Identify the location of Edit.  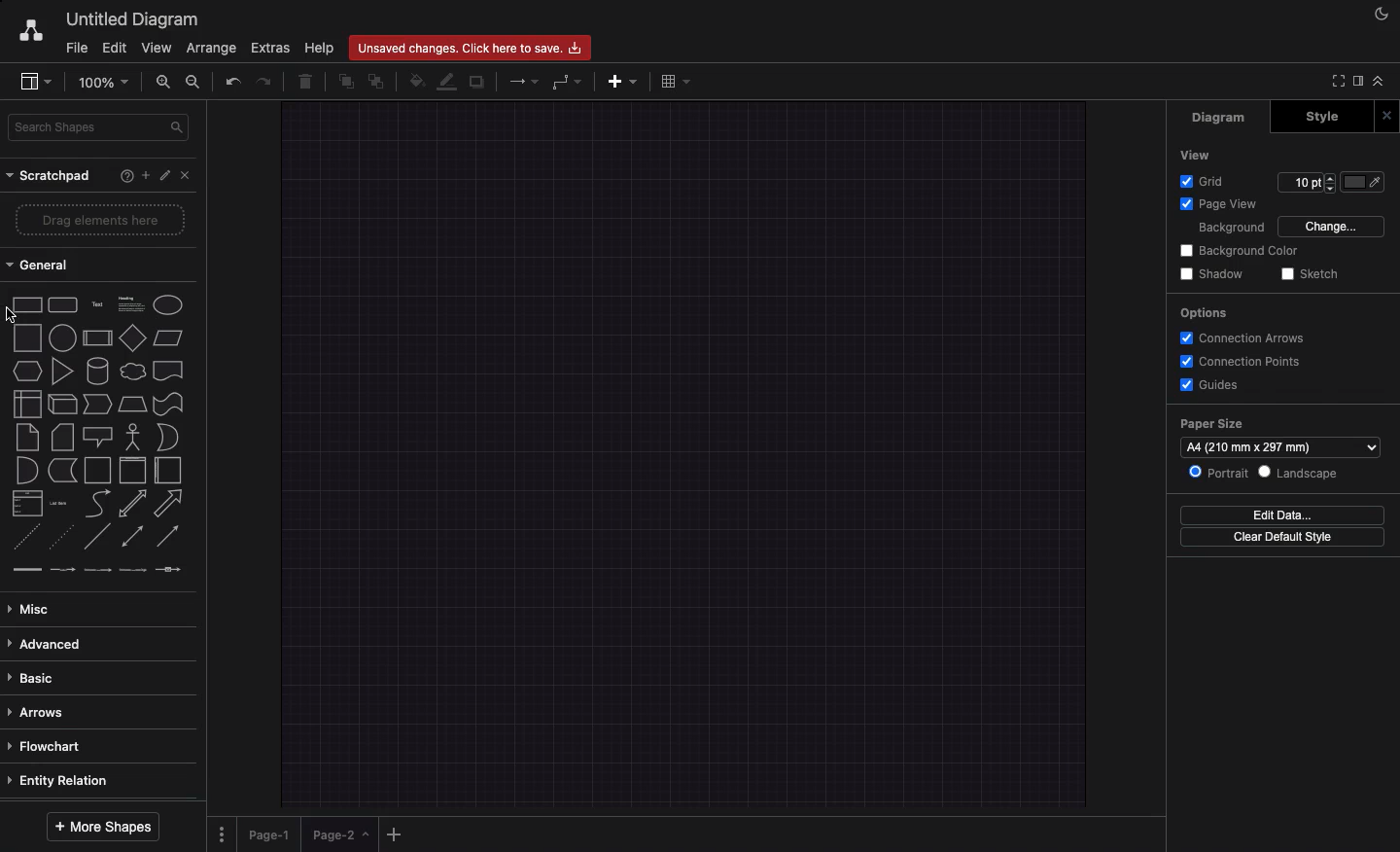
(165, 176).